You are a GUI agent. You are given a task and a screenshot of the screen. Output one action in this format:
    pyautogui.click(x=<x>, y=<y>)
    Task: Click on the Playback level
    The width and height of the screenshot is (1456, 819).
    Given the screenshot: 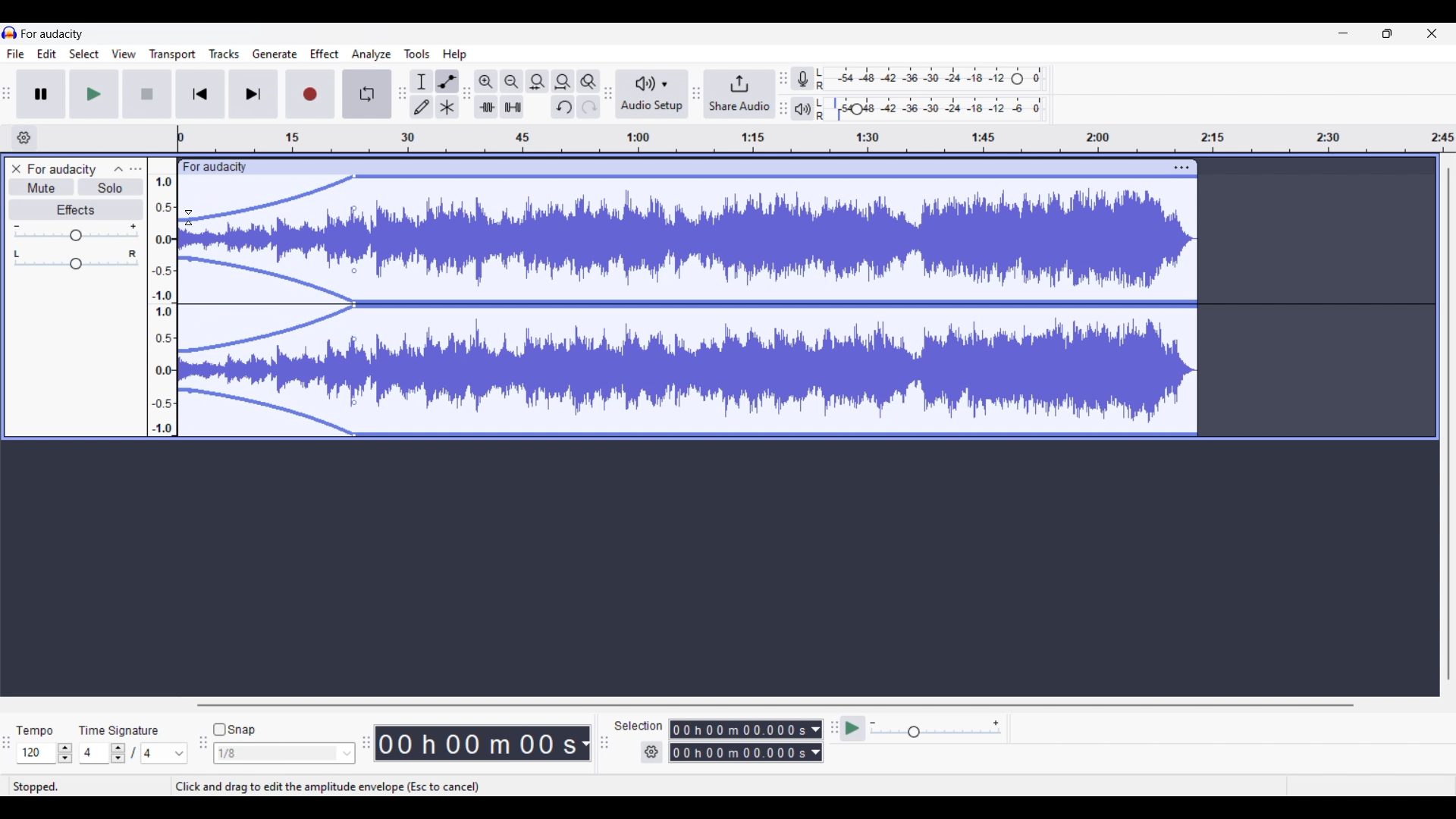 What is the action you would take?
    pyautogui.click(x=930, y=108)
    